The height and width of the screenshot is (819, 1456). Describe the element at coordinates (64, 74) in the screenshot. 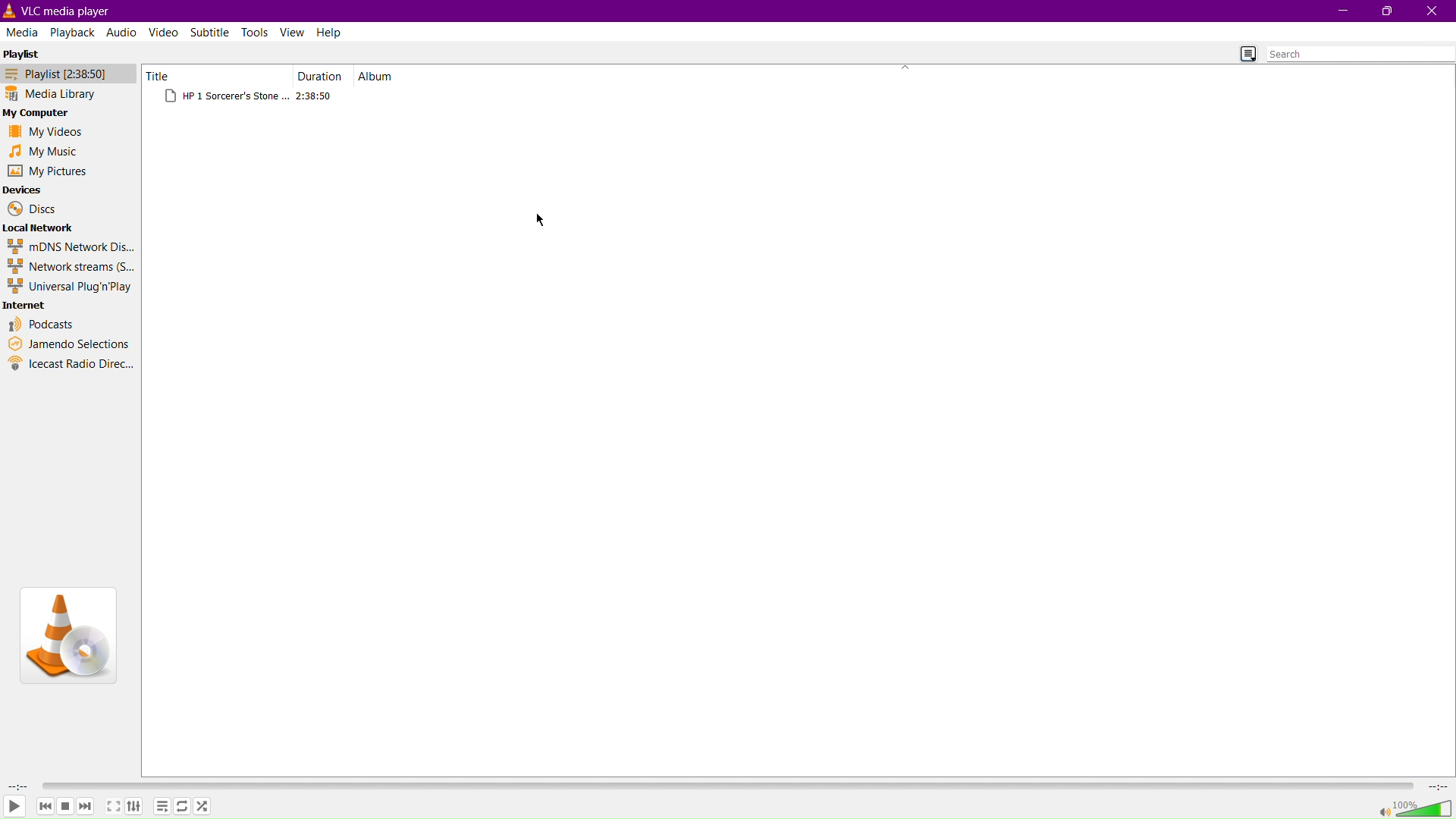

I see `Playlist` at that location.